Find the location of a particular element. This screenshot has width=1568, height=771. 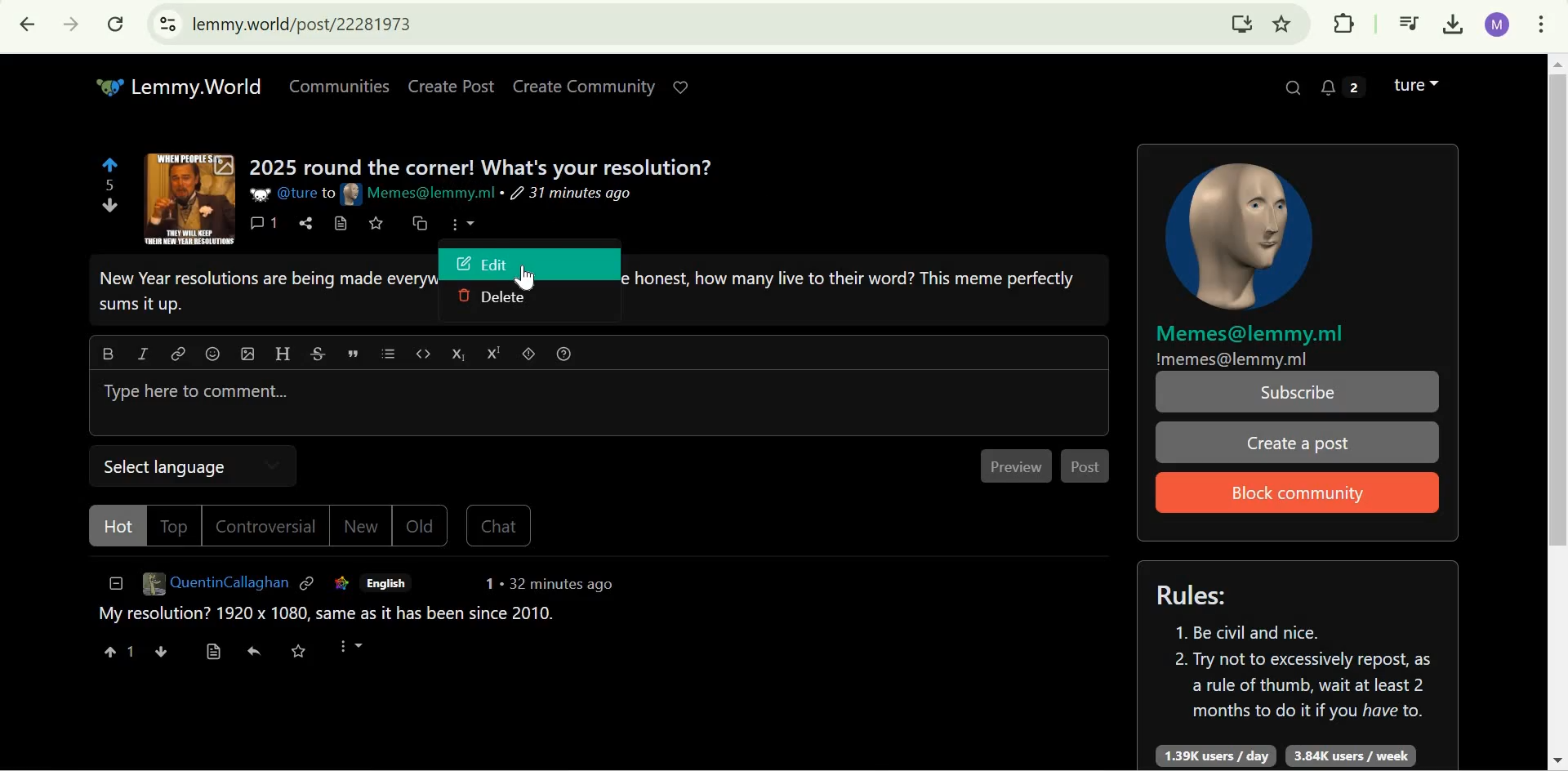

2 unread messages is located at coordinates (1343, 84).